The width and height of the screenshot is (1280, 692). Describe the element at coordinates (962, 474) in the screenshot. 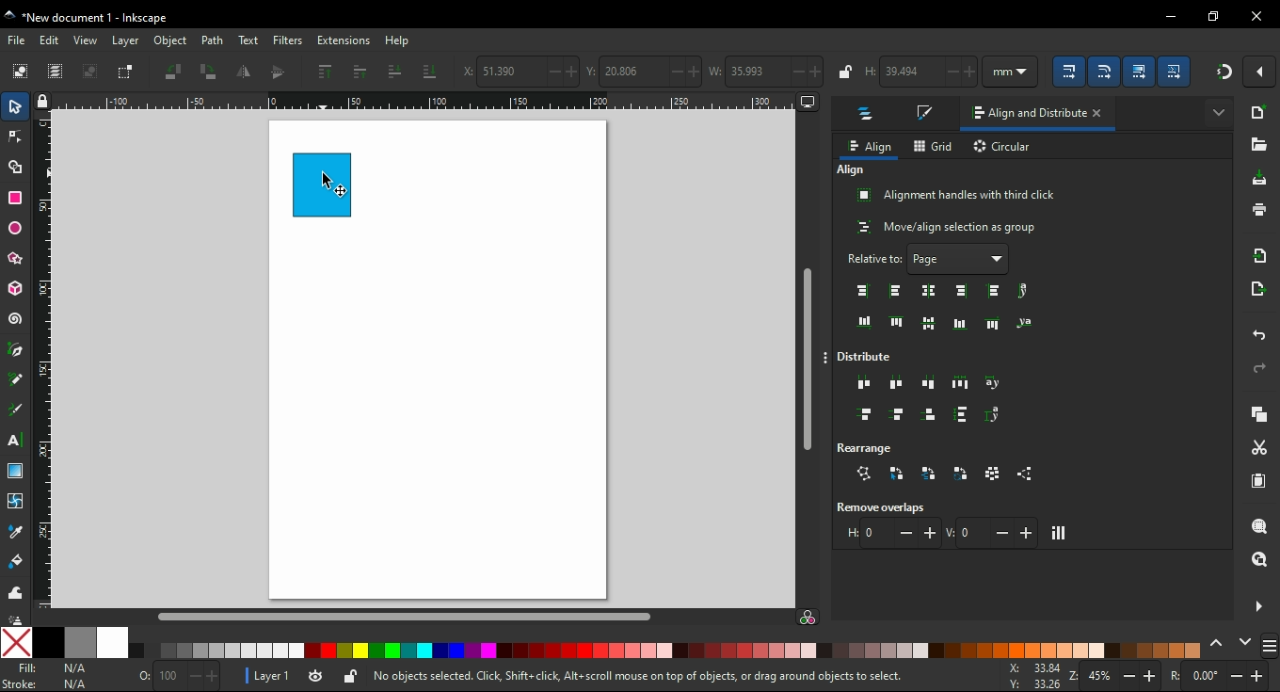

I see `exchange positions of selected objects - rotate around center point` at that location.